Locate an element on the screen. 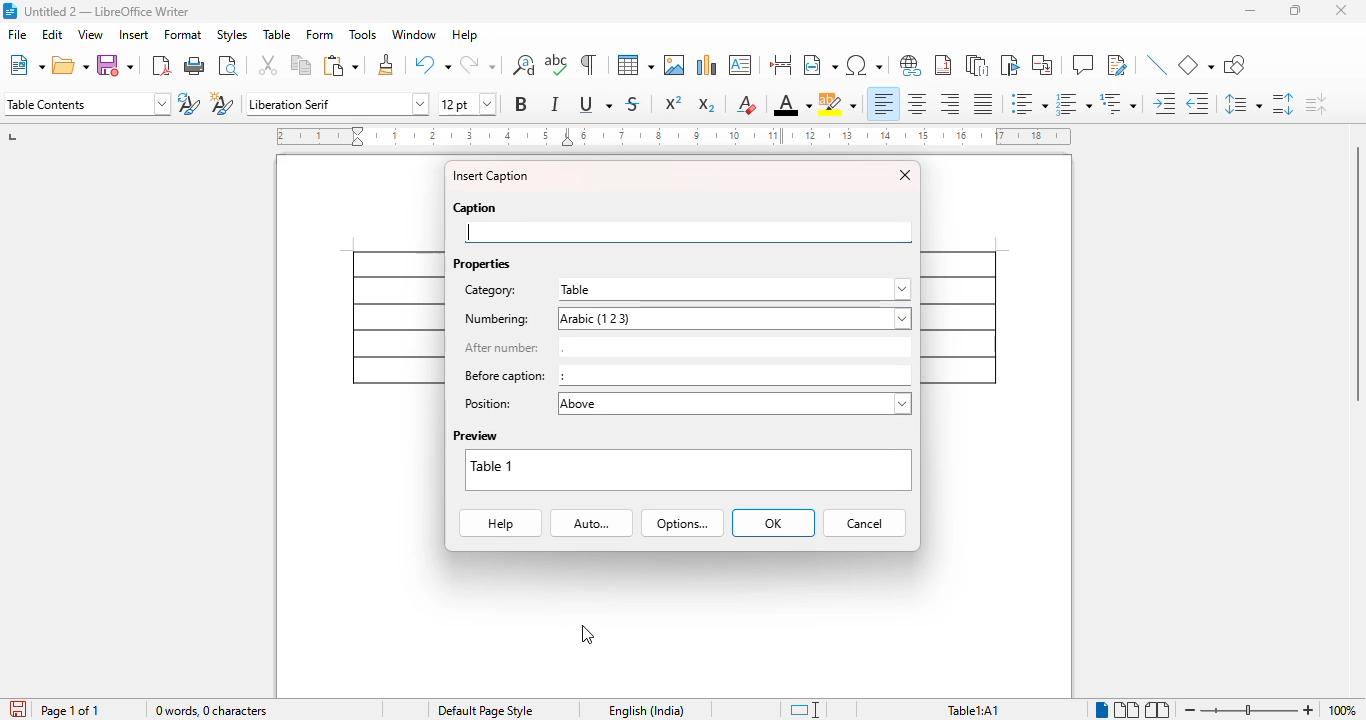 Image resolution: width=1366 pixels, height=720 pixels. page style is located at coordinates (486, 710).